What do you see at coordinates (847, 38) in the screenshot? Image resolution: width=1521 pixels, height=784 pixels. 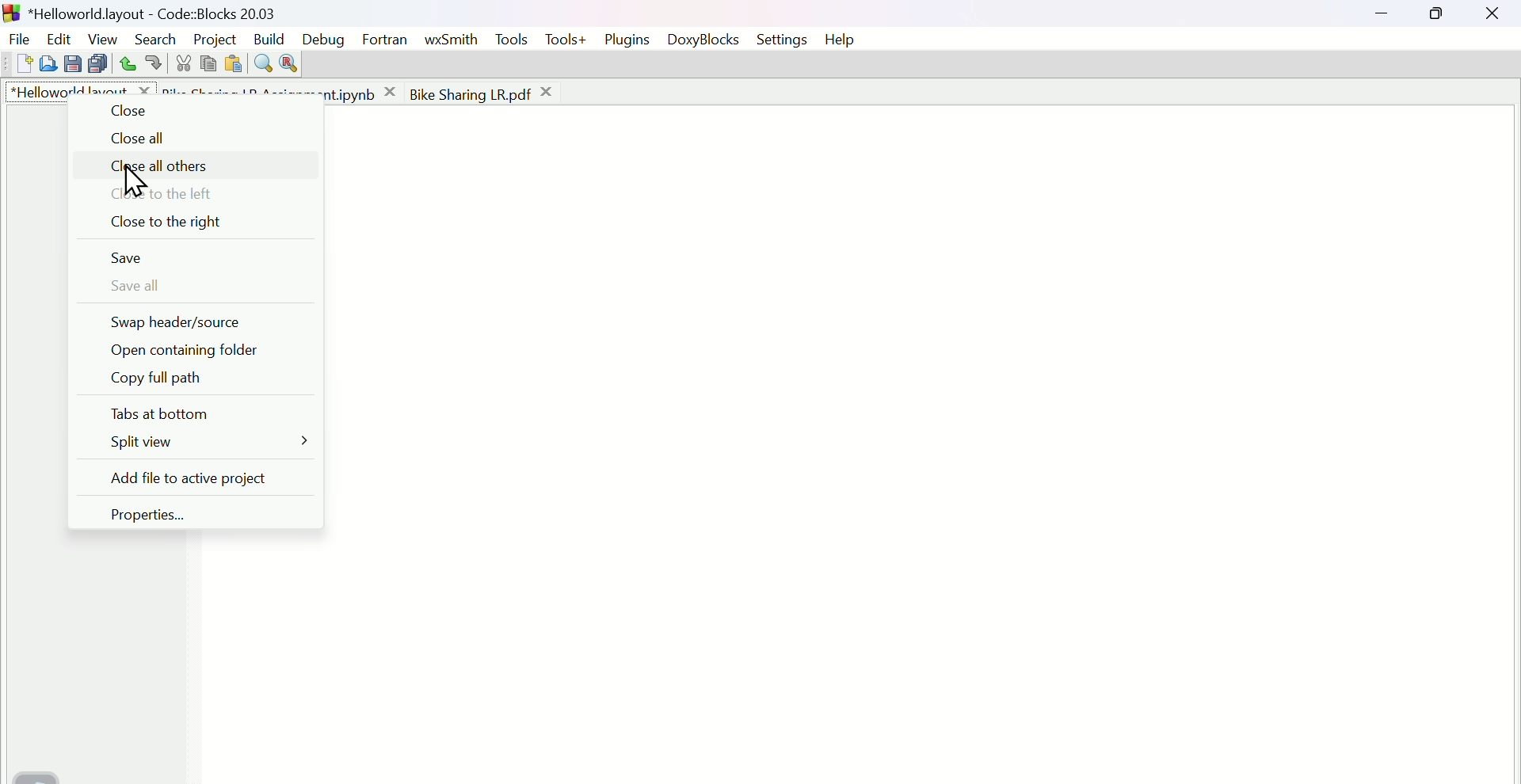 I see `Help` at bounding box center [847, 38].